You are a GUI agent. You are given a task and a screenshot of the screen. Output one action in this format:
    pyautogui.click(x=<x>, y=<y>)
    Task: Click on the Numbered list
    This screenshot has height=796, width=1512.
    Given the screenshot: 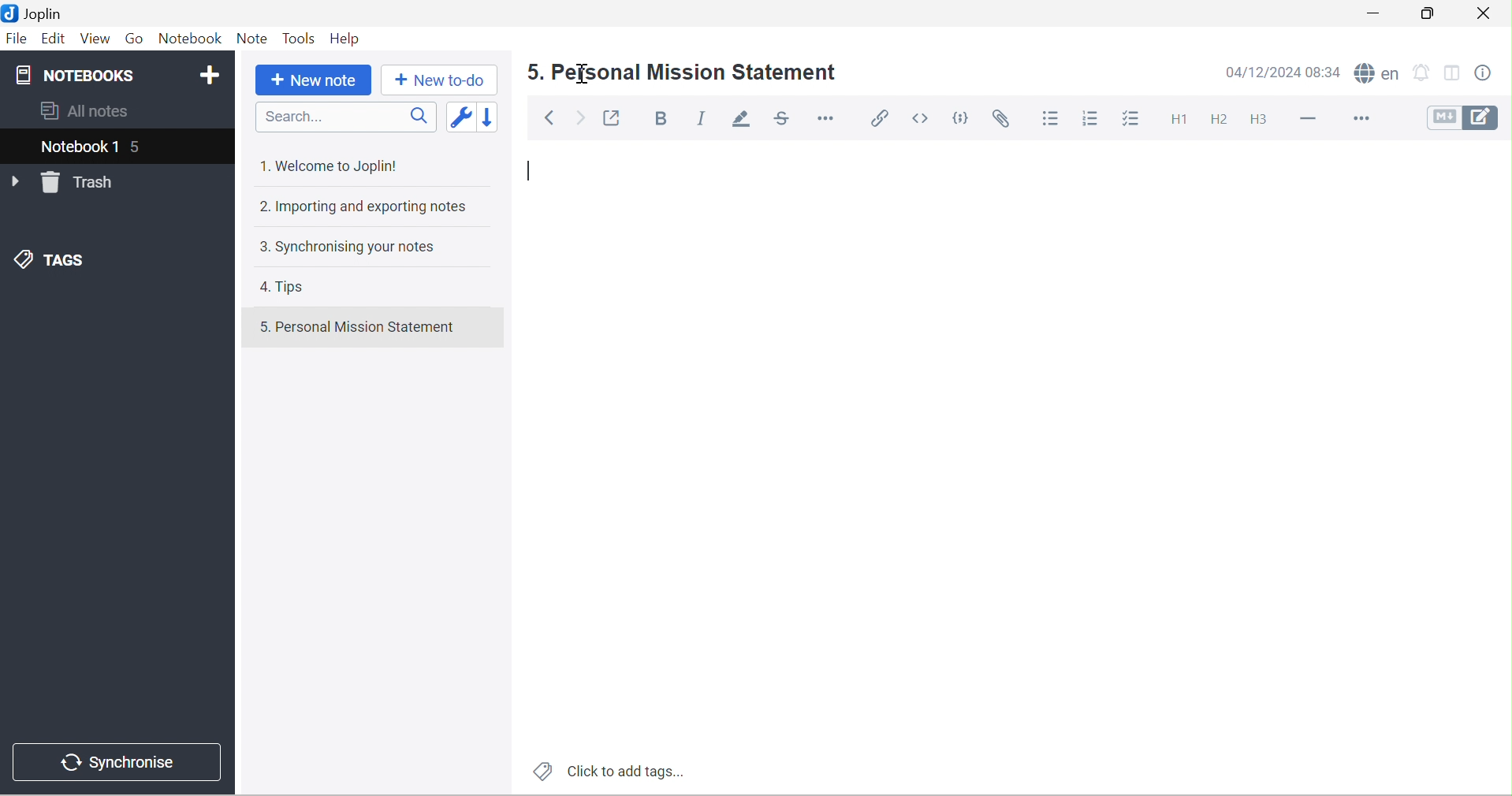 What is the action you would take?
    pyautogui.click(x=1095, y=120)
    